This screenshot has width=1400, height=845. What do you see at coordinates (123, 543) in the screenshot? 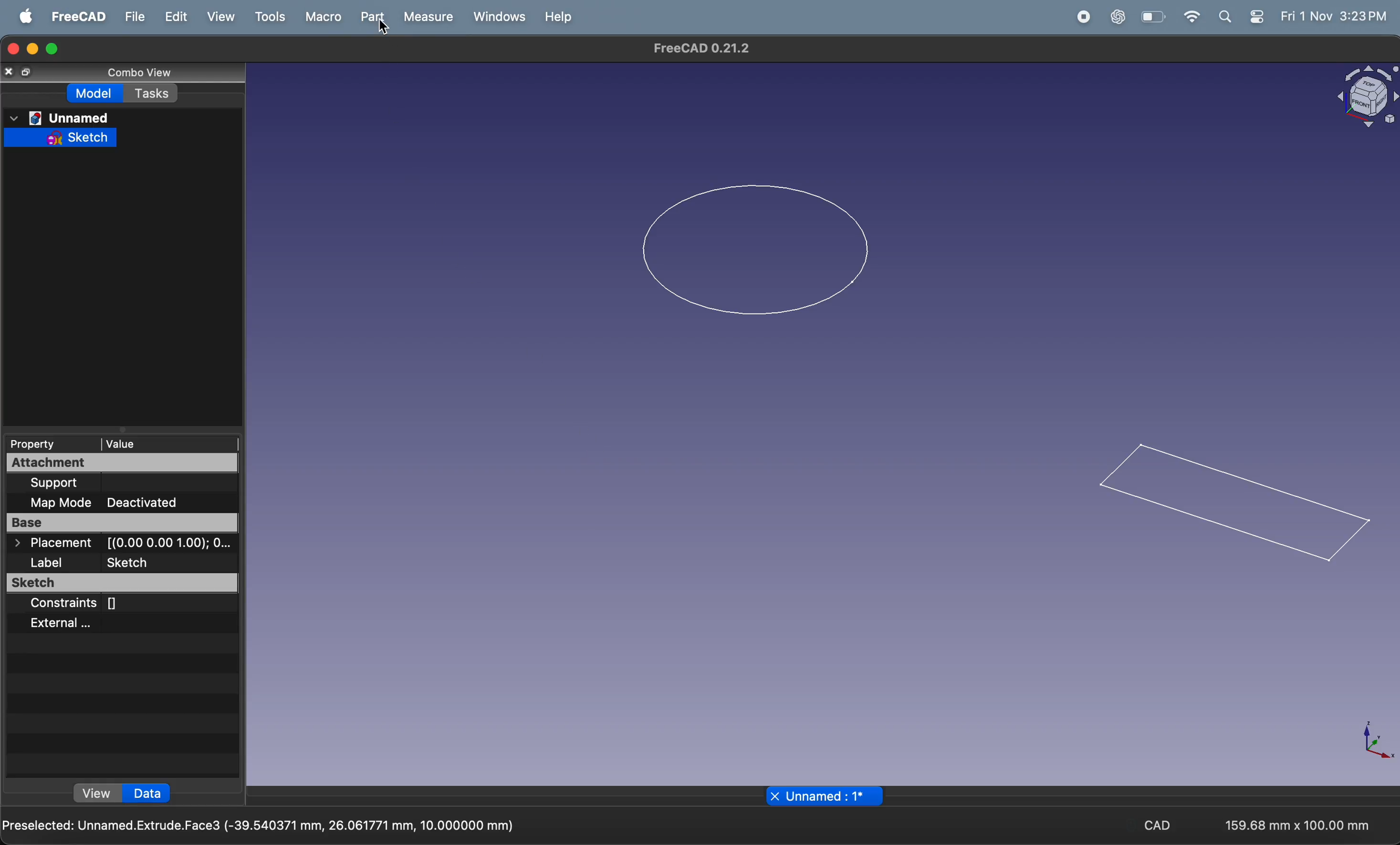
I see `> Placement   [(0.00 0.00 1.00); 0...` at bounding box center [123, 543].